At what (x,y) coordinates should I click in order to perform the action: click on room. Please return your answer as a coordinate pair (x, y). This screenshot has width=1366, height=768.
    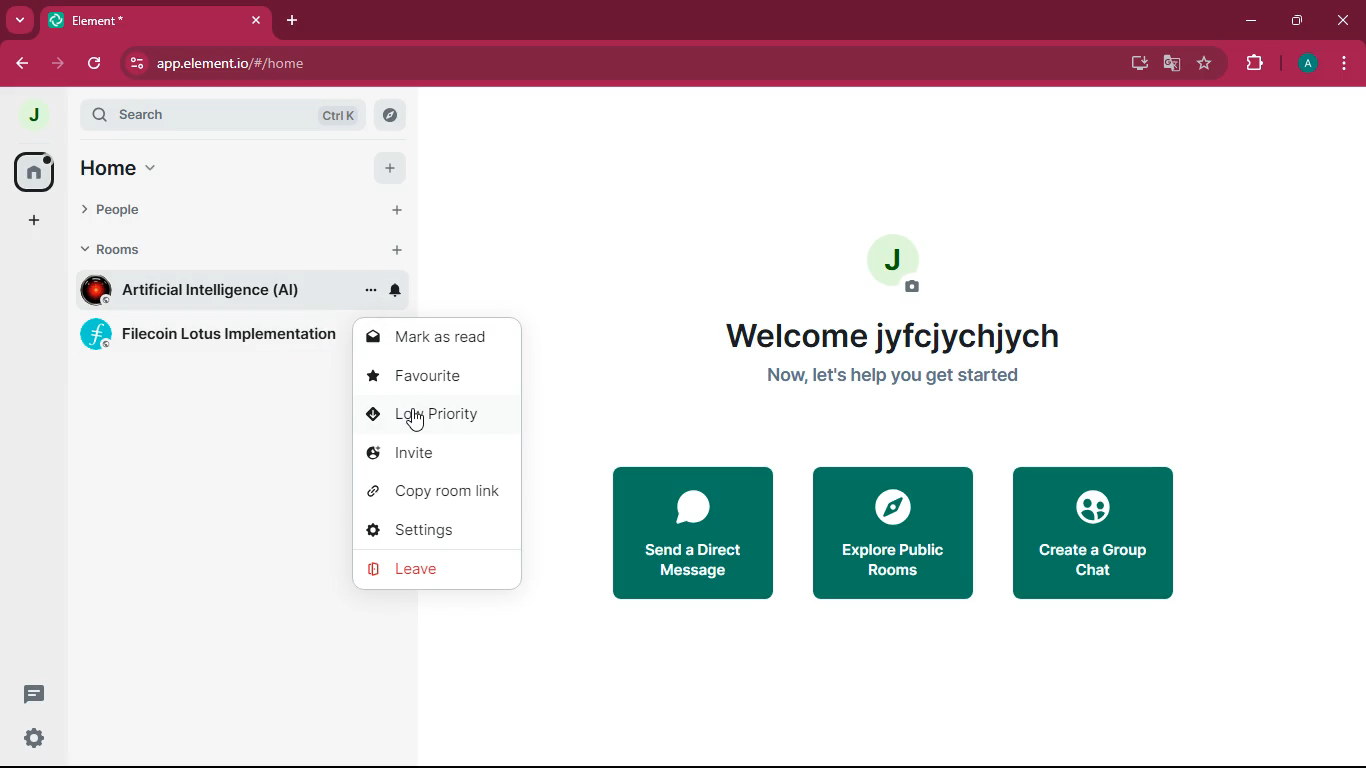
    Looking at the image, I should click on (213, 338).